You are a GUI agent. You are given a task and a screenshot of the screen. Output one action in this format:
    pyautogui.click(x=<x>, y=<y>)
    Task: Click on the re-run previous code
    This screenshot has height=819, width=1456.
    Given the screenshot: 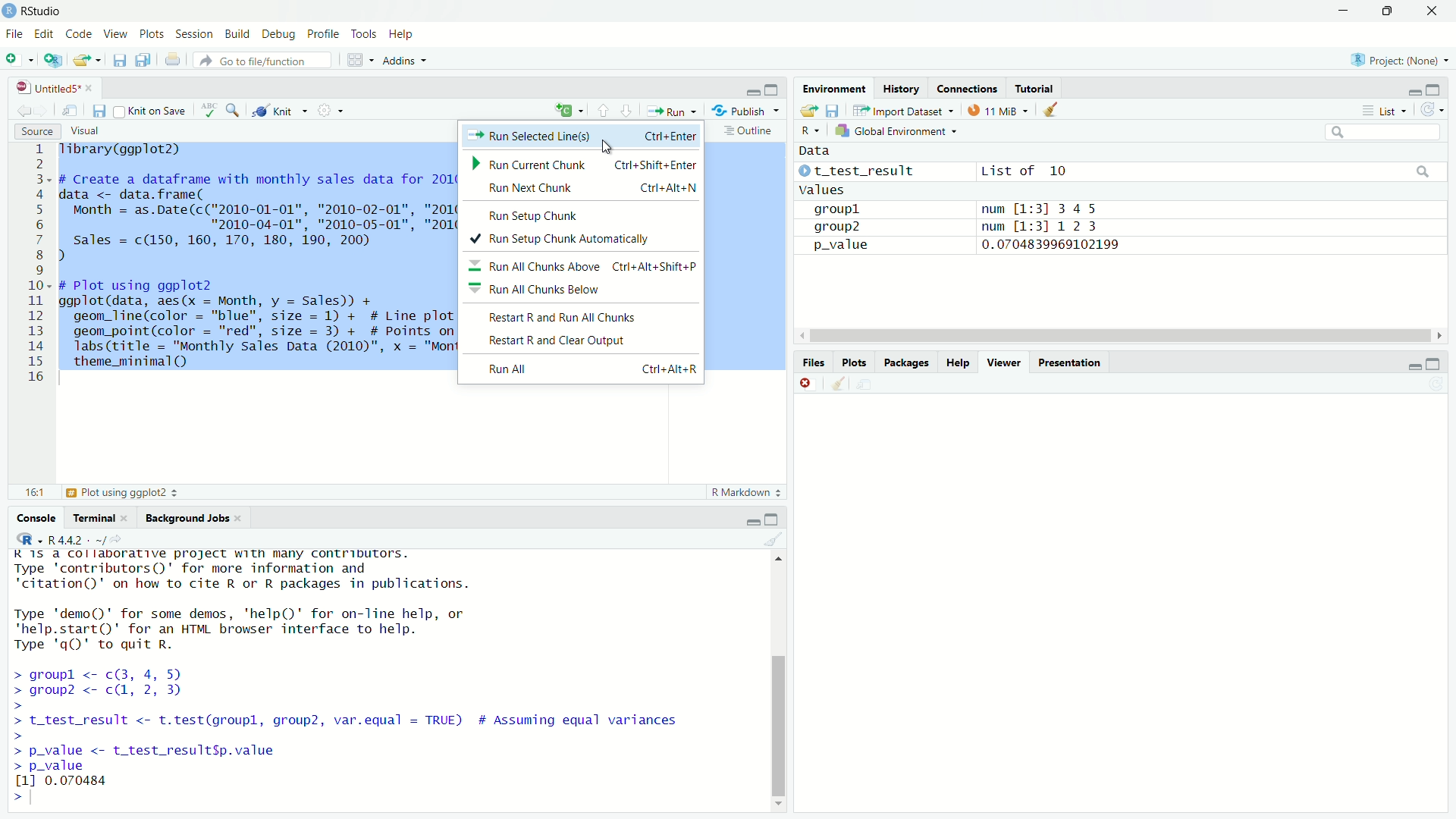 What is the action you would take?
    pyautogui.click(x=566, y=111)
    